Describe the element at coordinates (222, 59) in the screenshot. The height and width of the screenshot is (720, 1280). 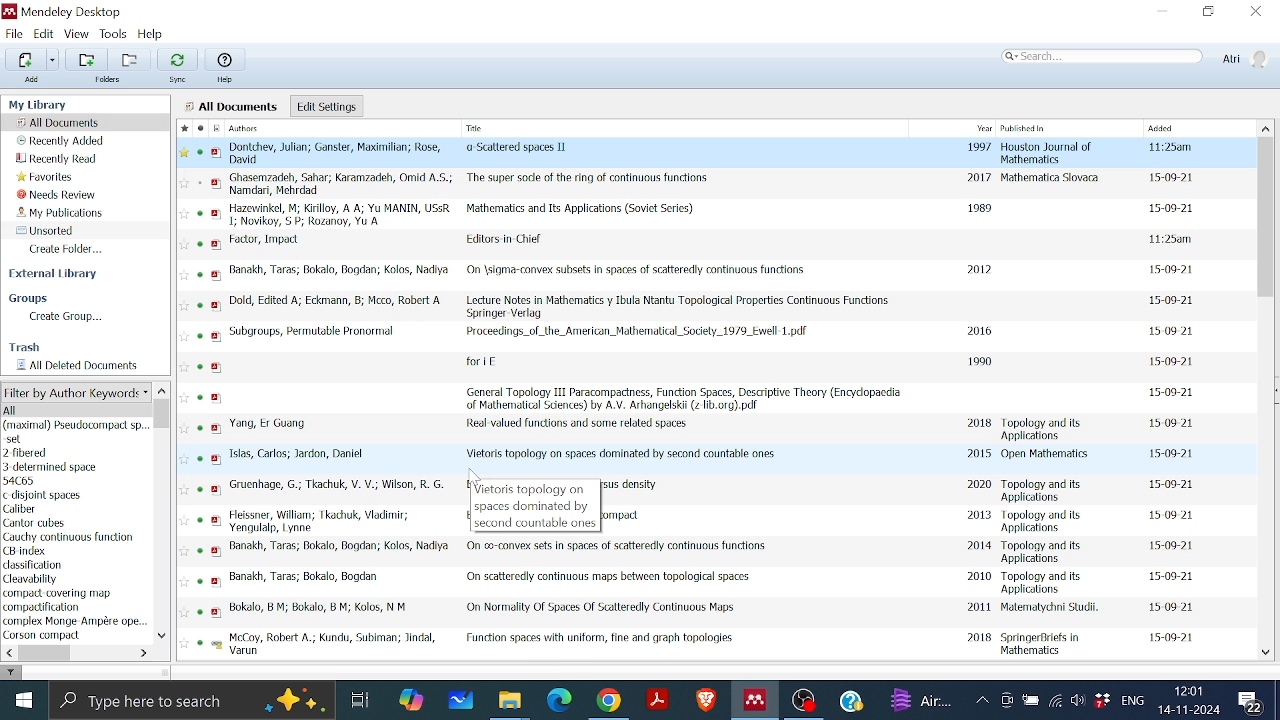
I see `Help` at that location.